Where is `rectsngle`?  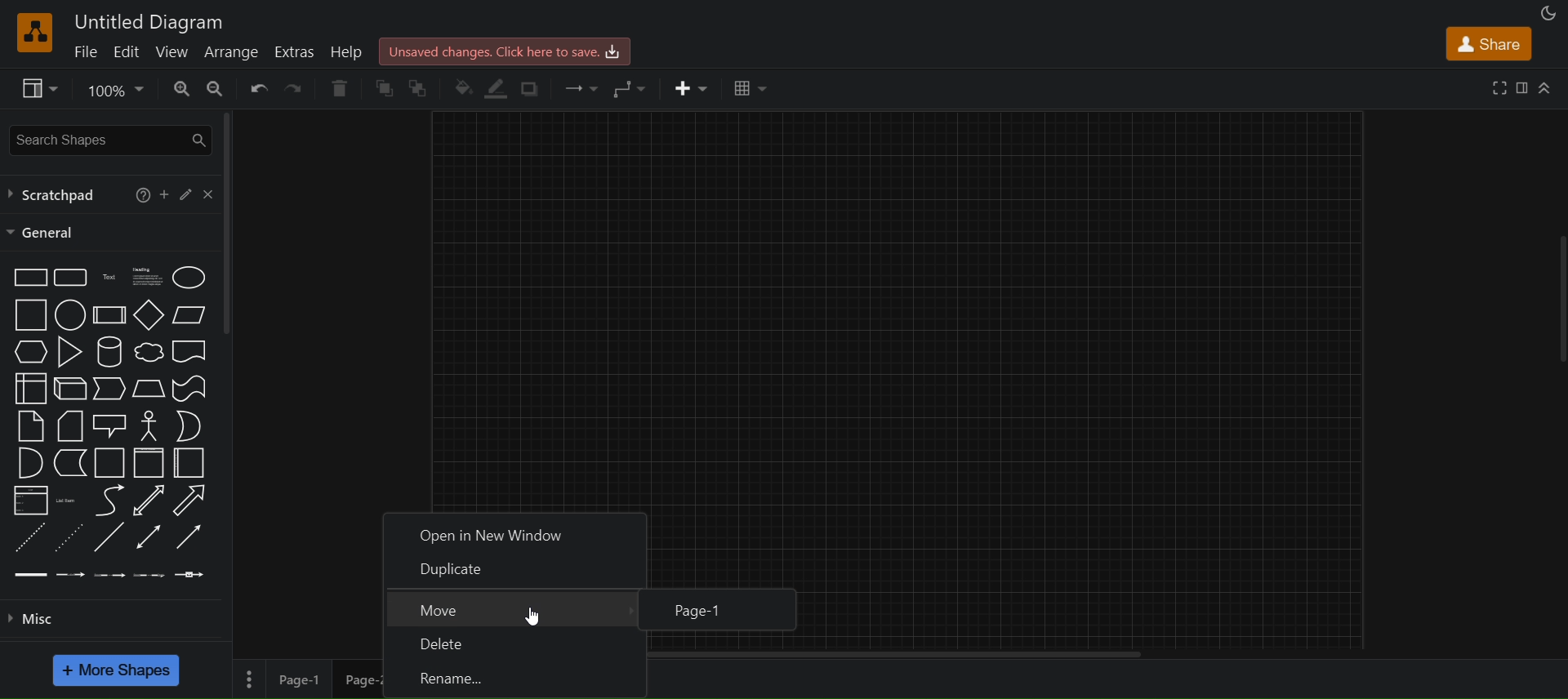 rectsngle is located at coordinates (29, 278).